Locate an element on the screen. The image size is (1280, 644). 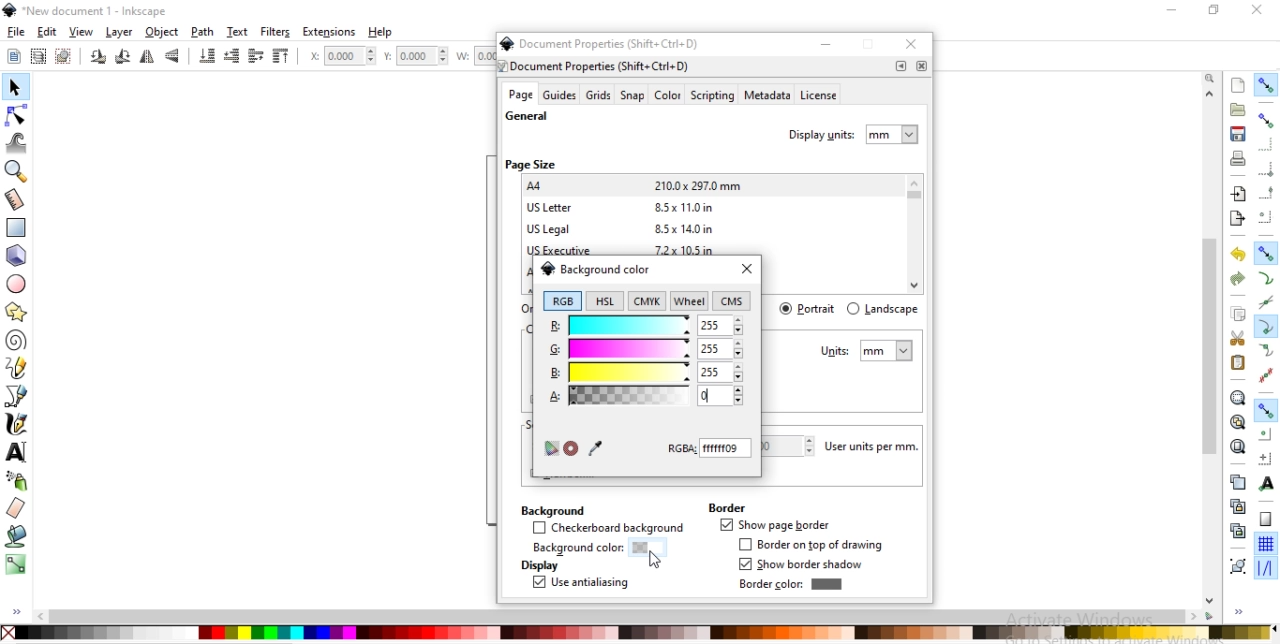
enable snapping is located at coordinates (1265, 85).